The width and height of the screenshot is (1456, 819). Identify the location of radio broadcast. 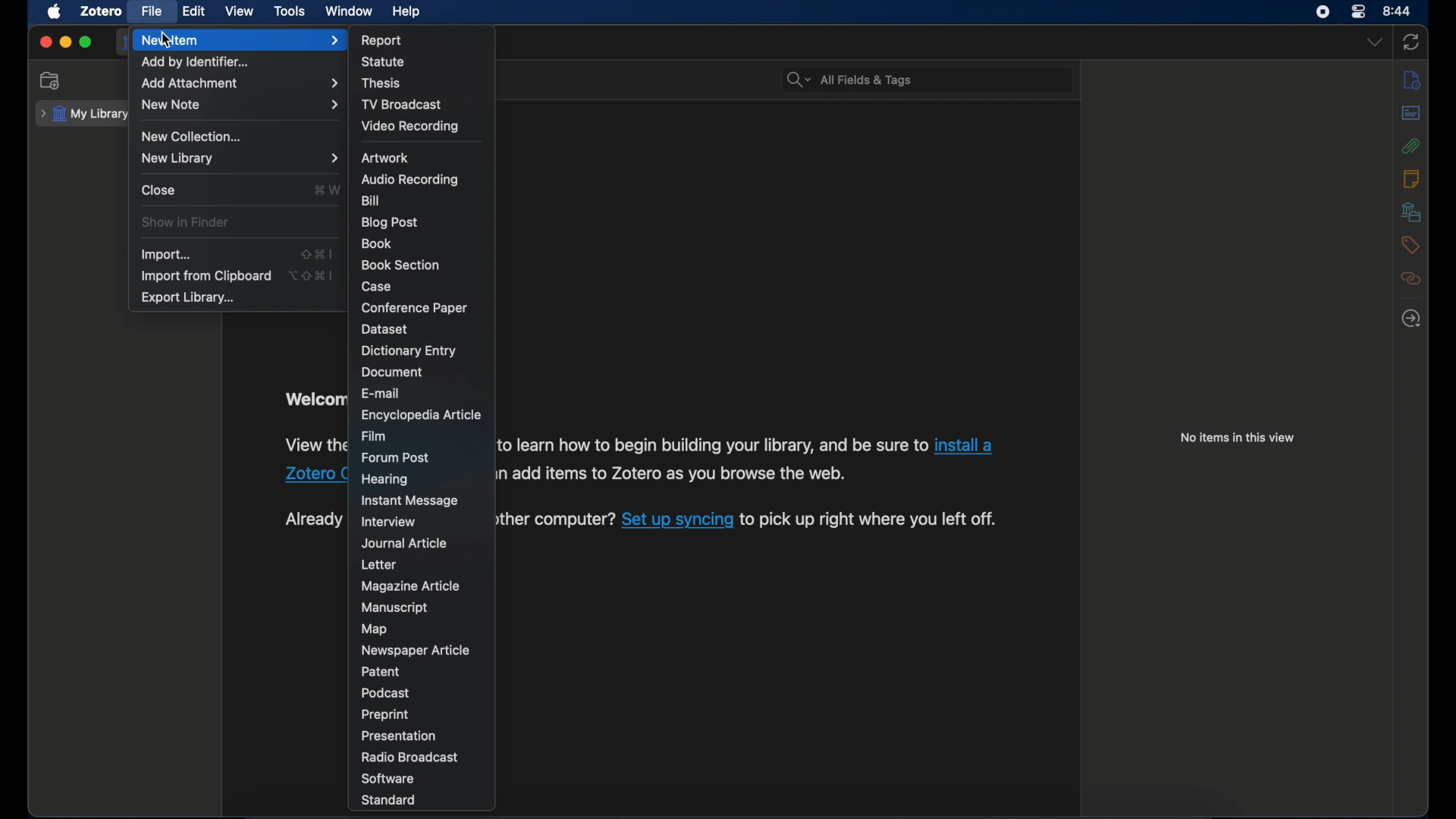
(411, 757).